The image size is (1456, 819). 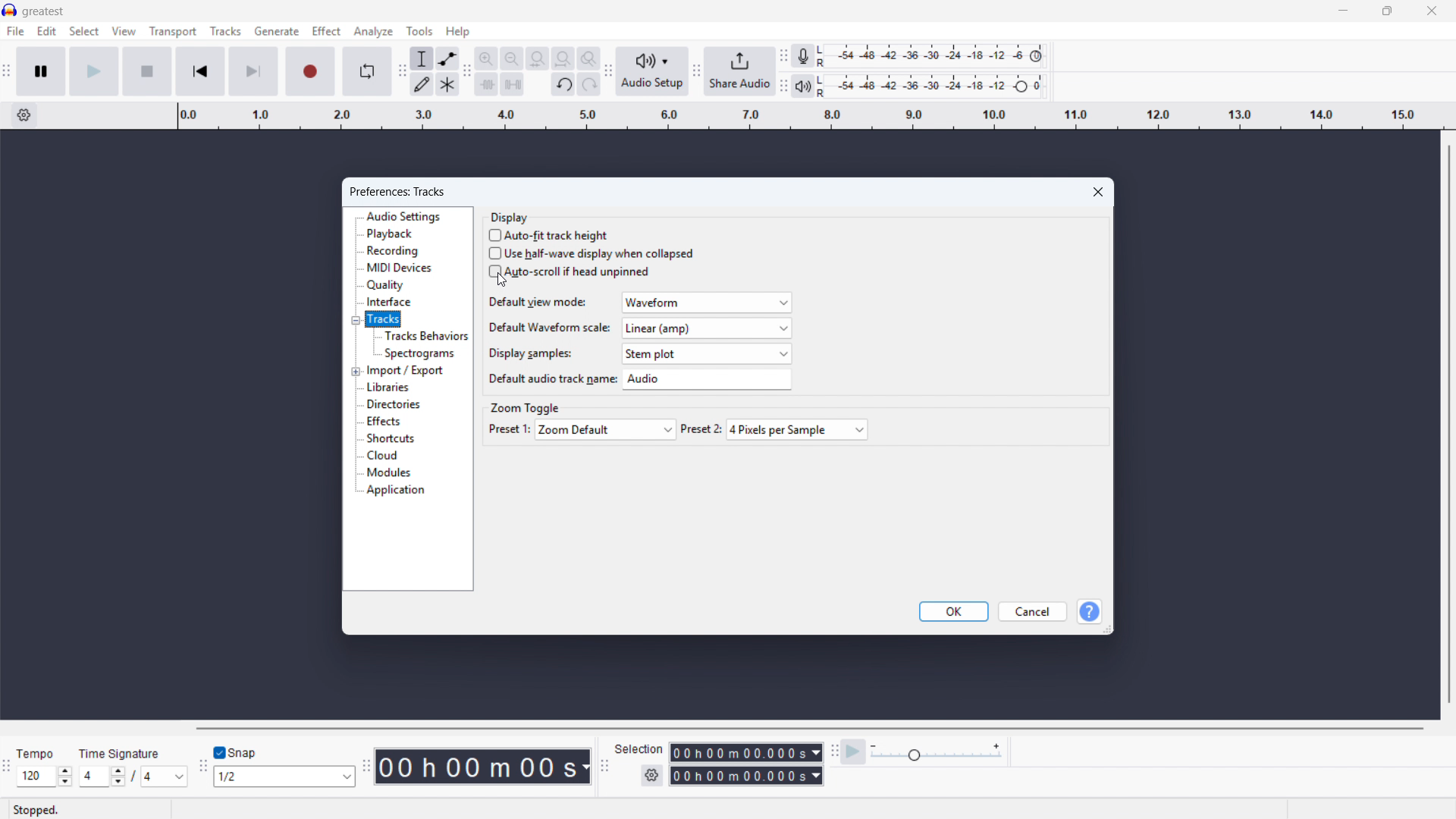 What do you see at coordinates (393, 251) in the screenshot?
I see ` Recording ` at bounding box center [393, 251].